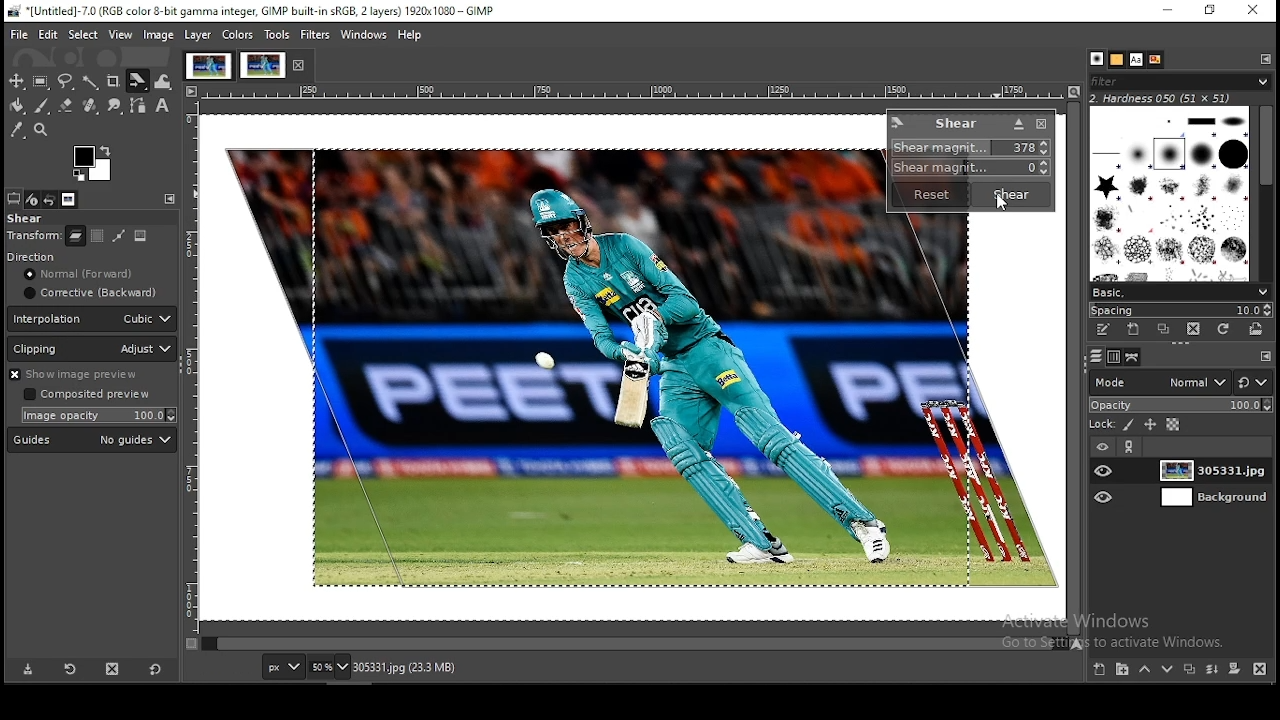  I want to click on Composited preview, so click(89, 395).